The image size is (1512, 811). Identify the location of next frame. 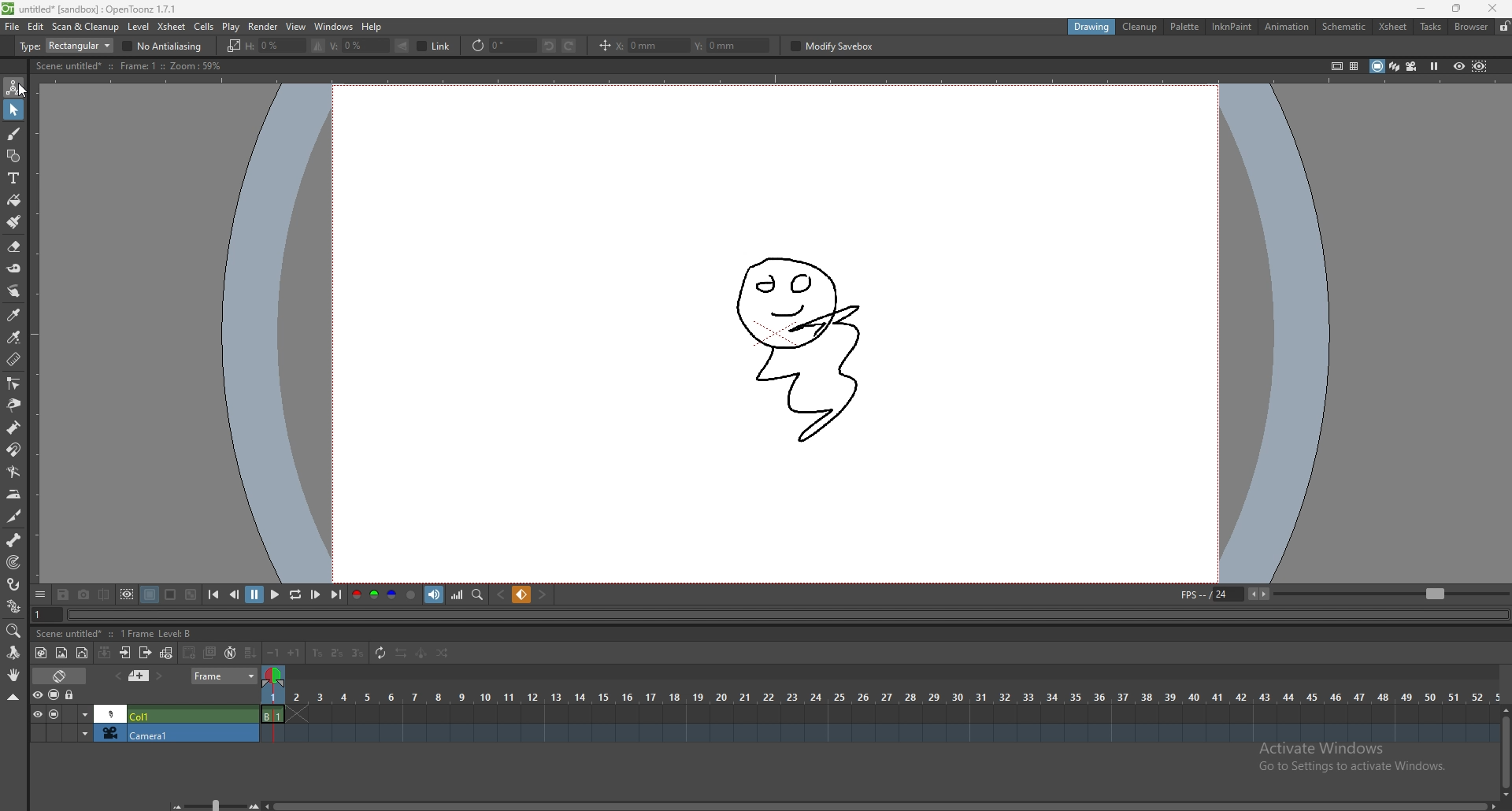
(317, 594).